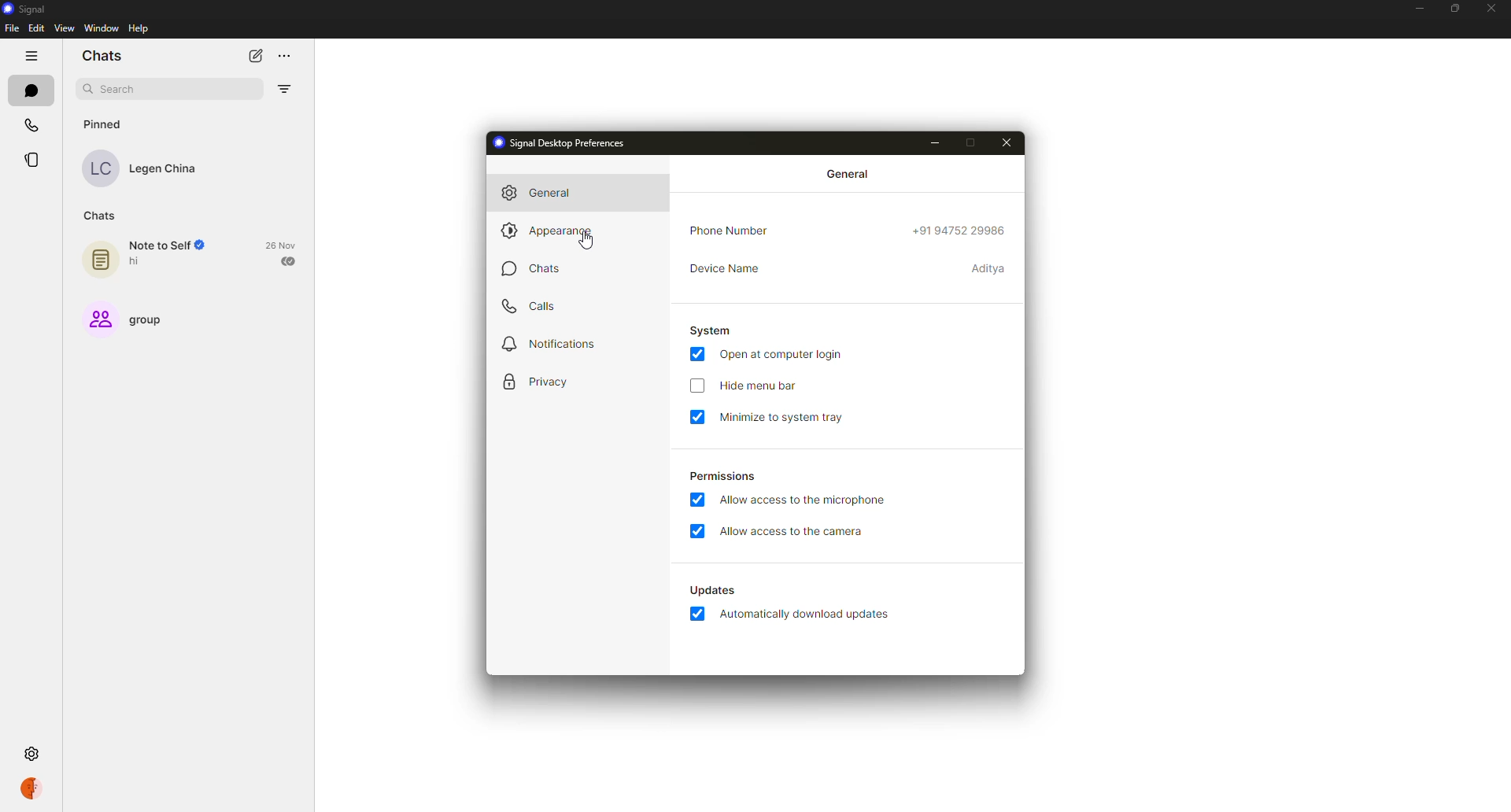 The image size is (1511, 812). What do you see at coordinates (286, 88) in the screenshot?
I see `filter` at bounding box center [286, 88].